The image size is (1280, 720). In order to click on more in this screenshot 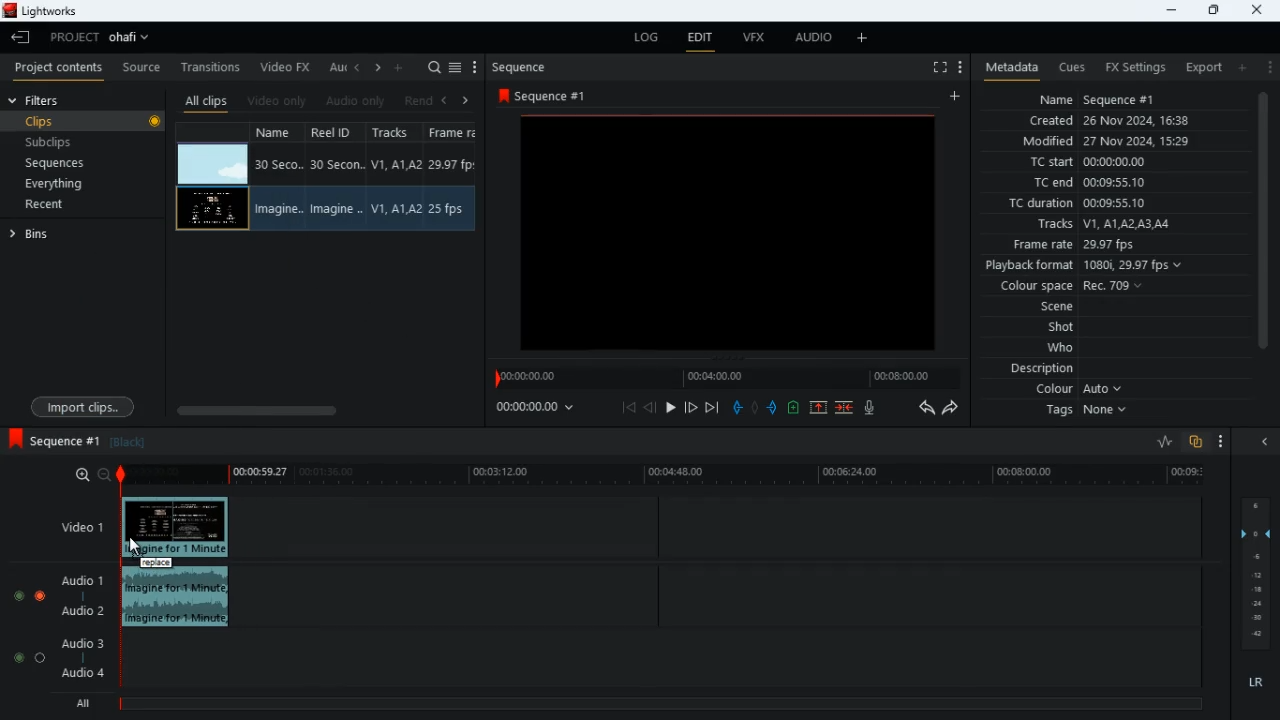, I will do `click(1222, 443)`.